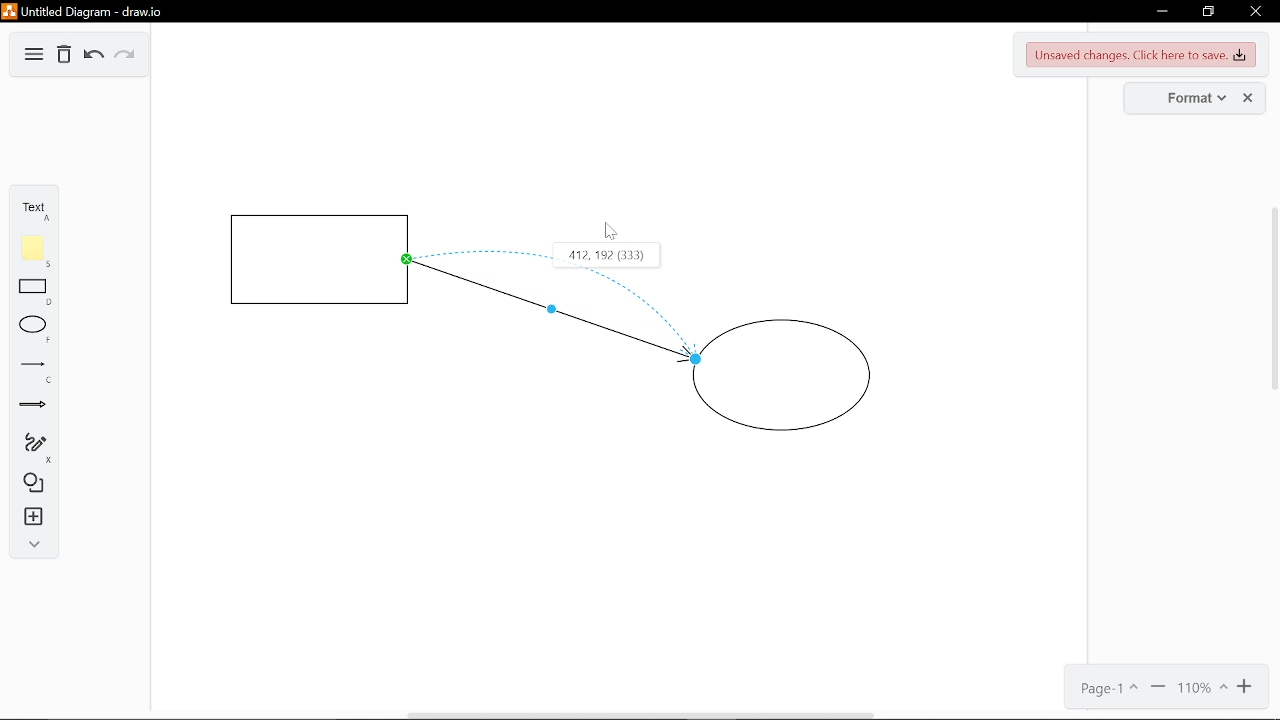  Describe the element at coordinates (549, 310) in the screenshot. I see `Bending point` at that location.